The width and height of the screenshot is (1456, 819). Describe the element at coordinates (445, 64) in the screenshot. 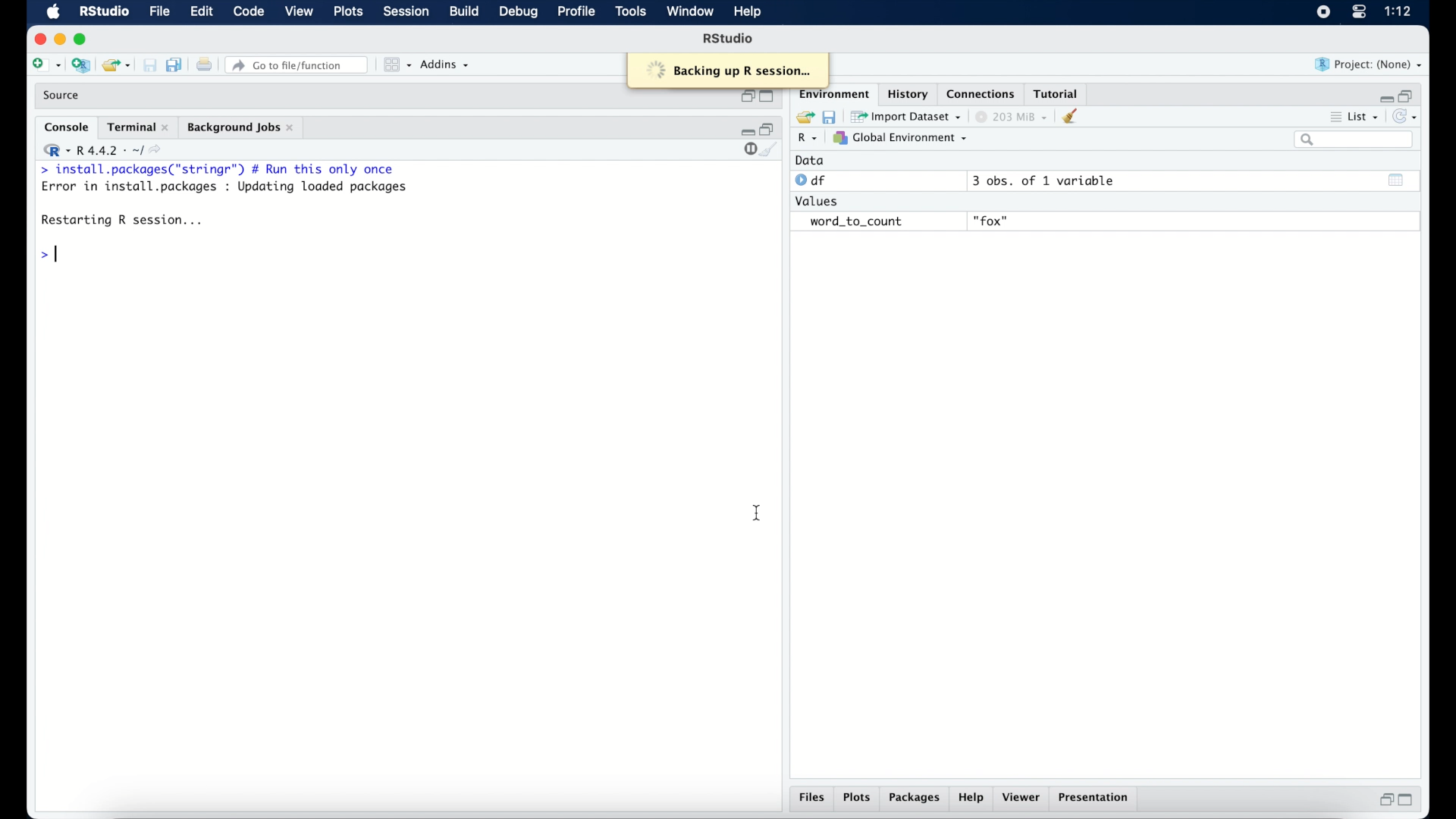

I see `addins` at that location.